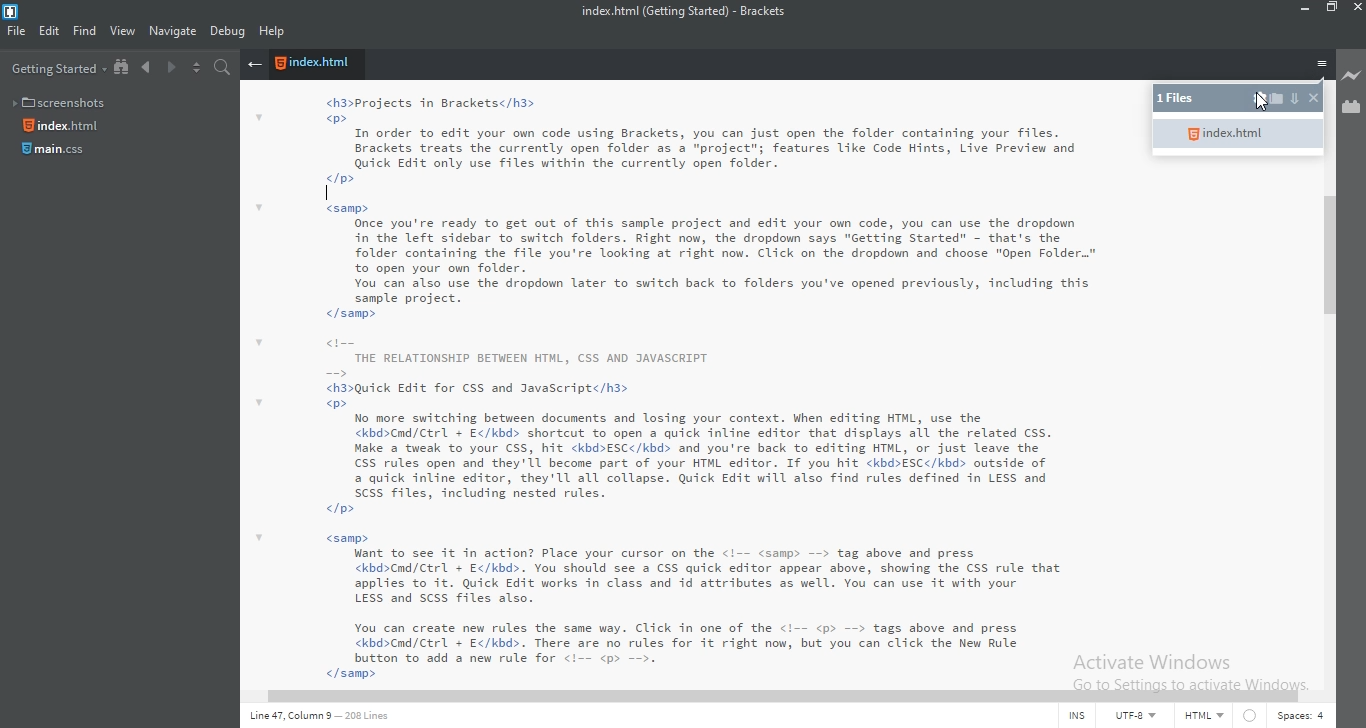 The image size is (1366, 728). Describe the element at coordinates (1259, 100) in the screenshot. I see `settings` at that location.